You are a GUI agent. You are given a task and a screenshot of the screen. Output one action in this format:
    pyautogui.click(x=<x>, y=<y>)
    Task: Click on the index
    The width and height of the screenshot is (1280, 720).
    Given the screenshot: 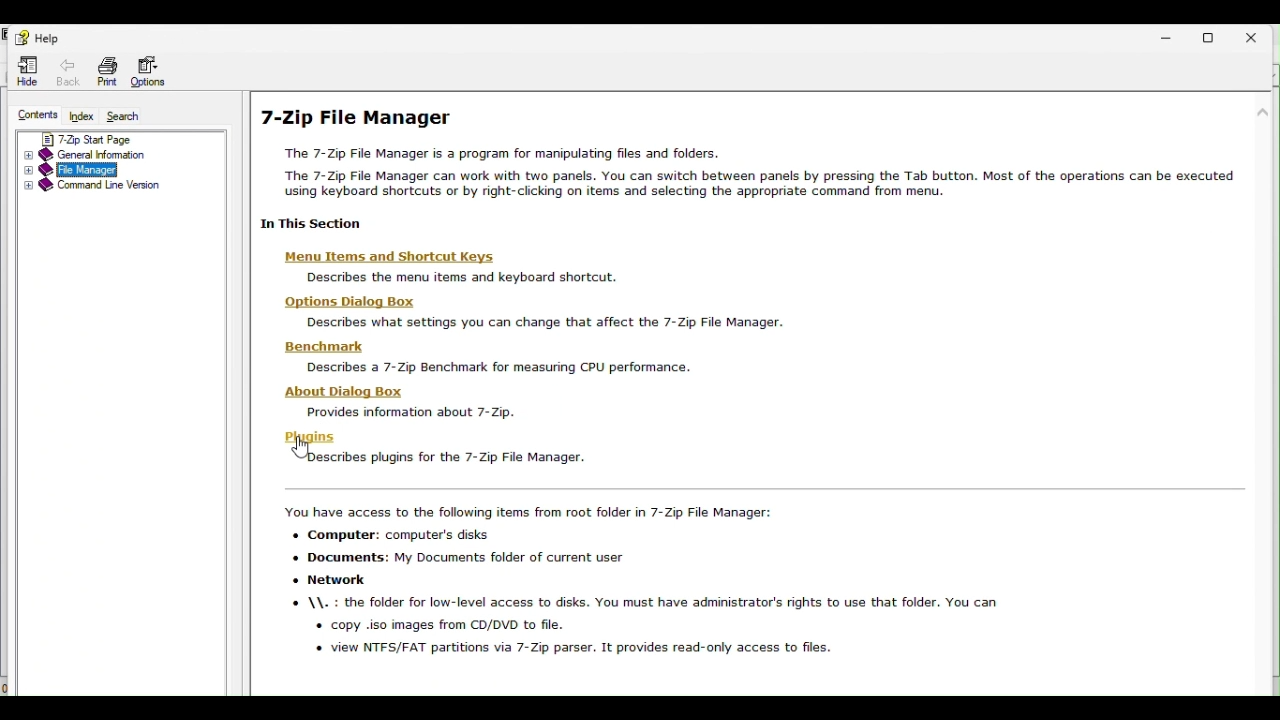 What is the action you would take?
    pyautogui.click(x=80, y=117)
    